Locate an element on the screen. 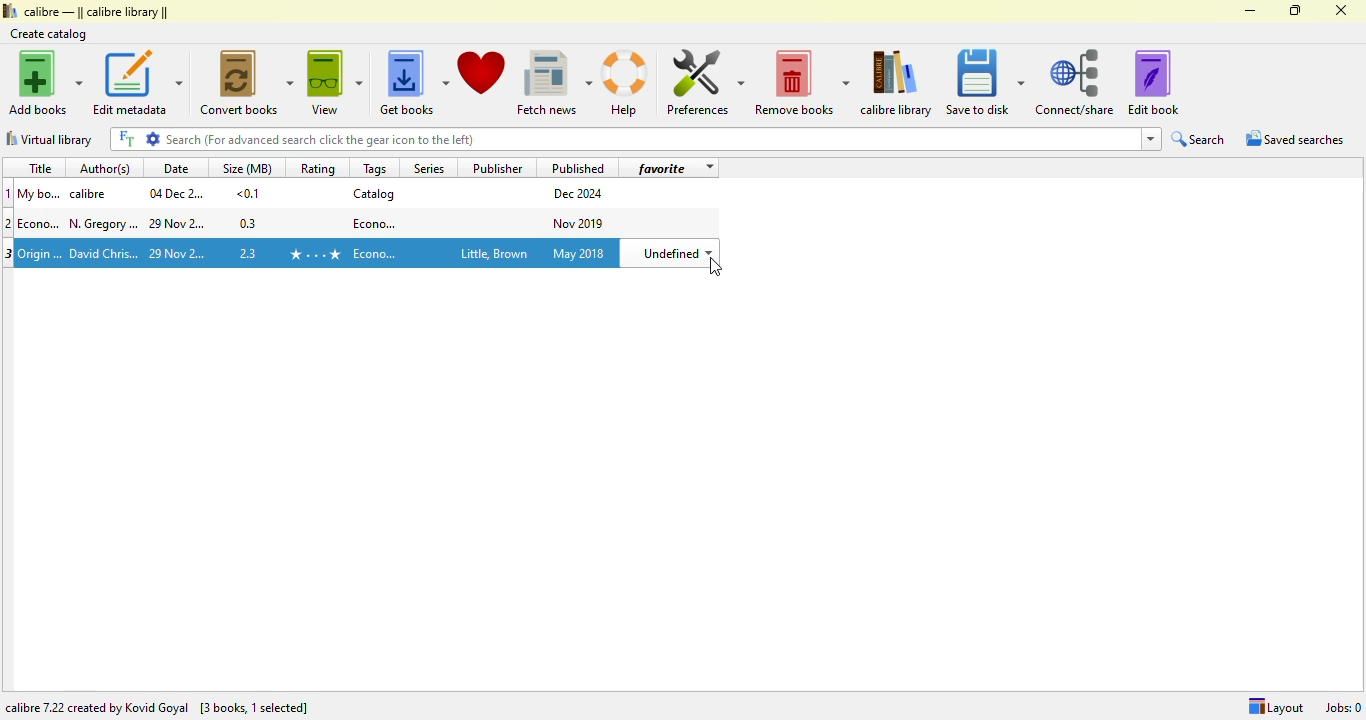 Image resolution: width=1366 pixels, height=720 pixels. cursor is located at coordinates (716, 267).